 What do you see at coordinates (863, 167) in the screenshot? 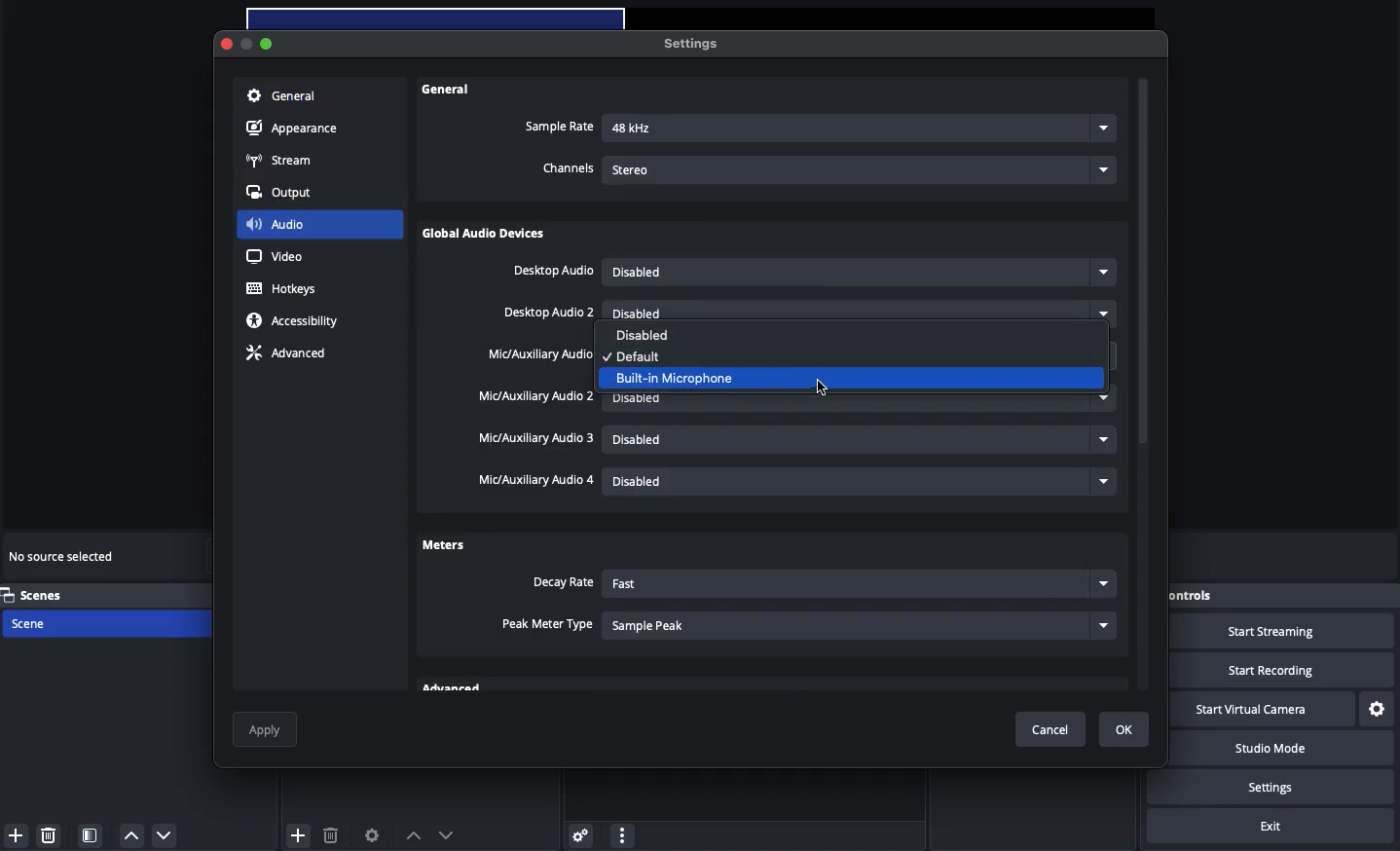
I see `Stereo` at bounding box center [863, 167].